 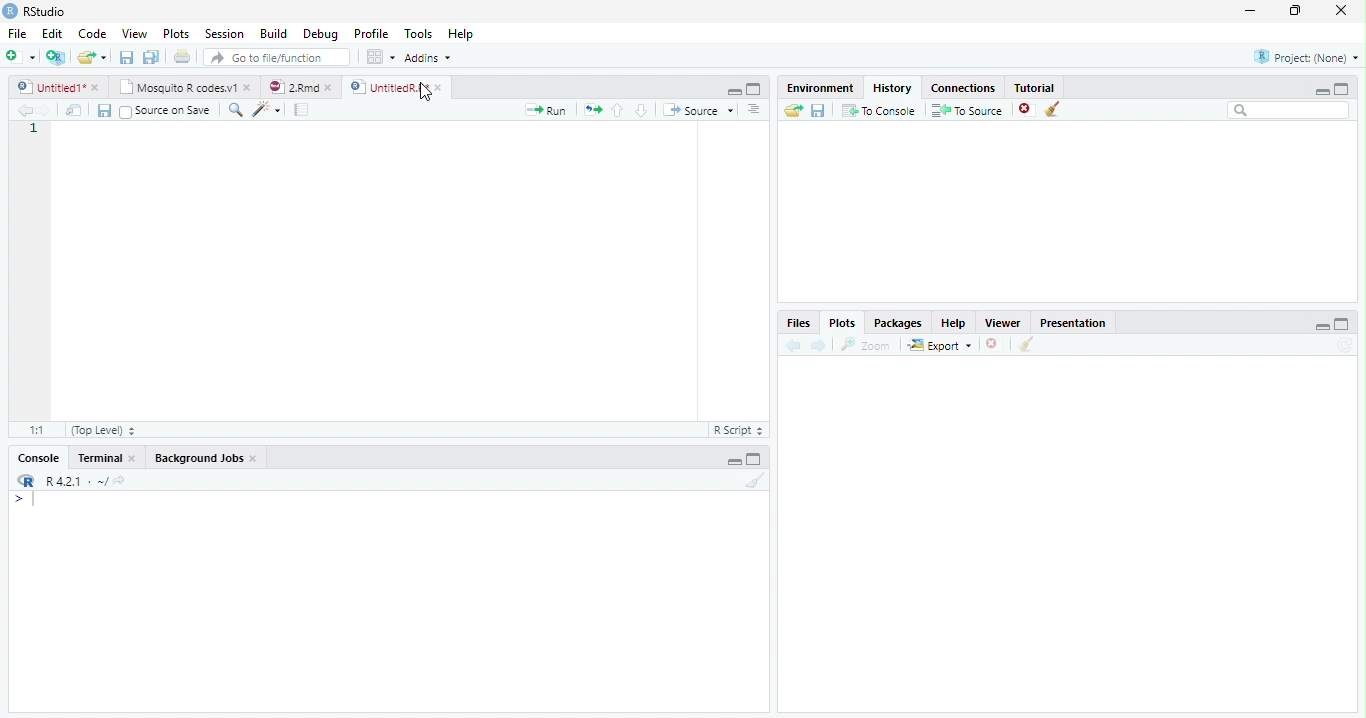 I want to click on Back , so click(x=26, y=111).